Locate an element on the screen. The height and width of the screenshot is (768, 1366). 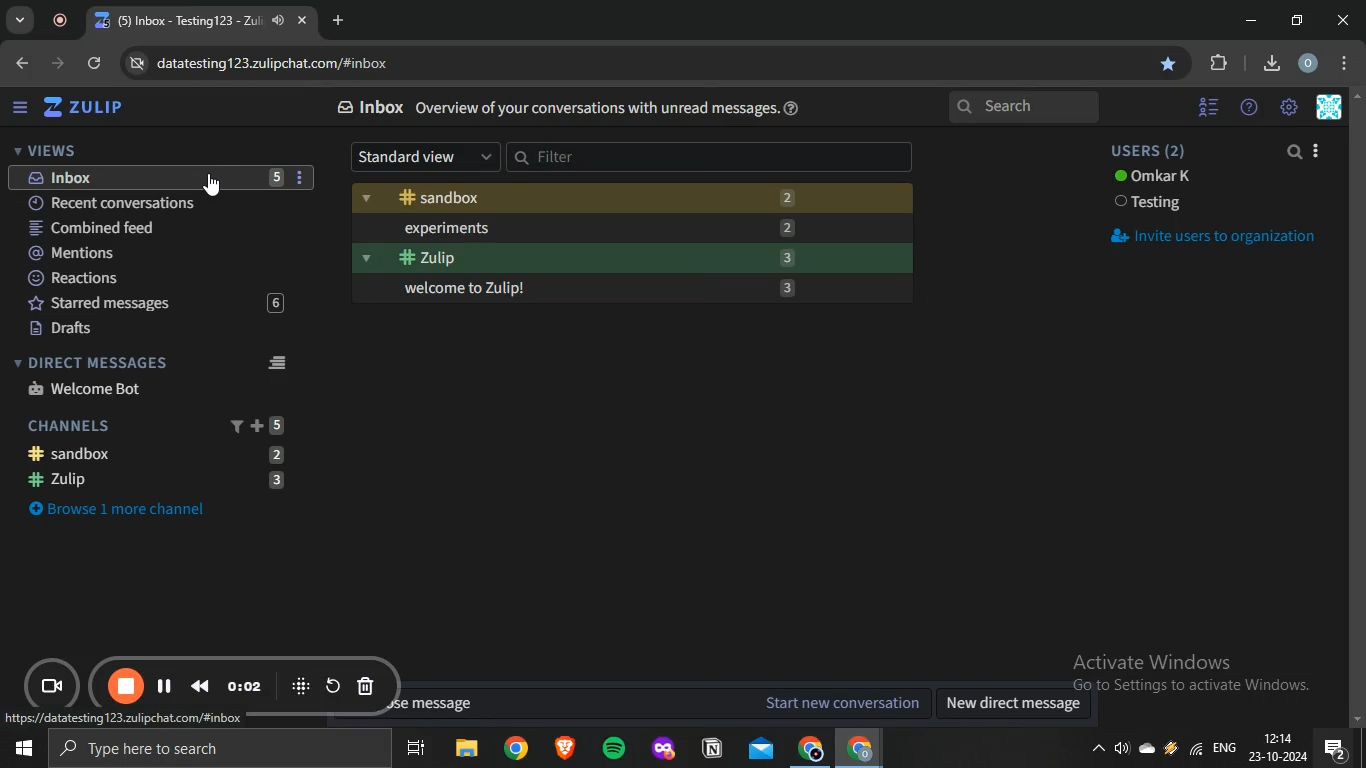
spotify is located at coordinates (613, 750).